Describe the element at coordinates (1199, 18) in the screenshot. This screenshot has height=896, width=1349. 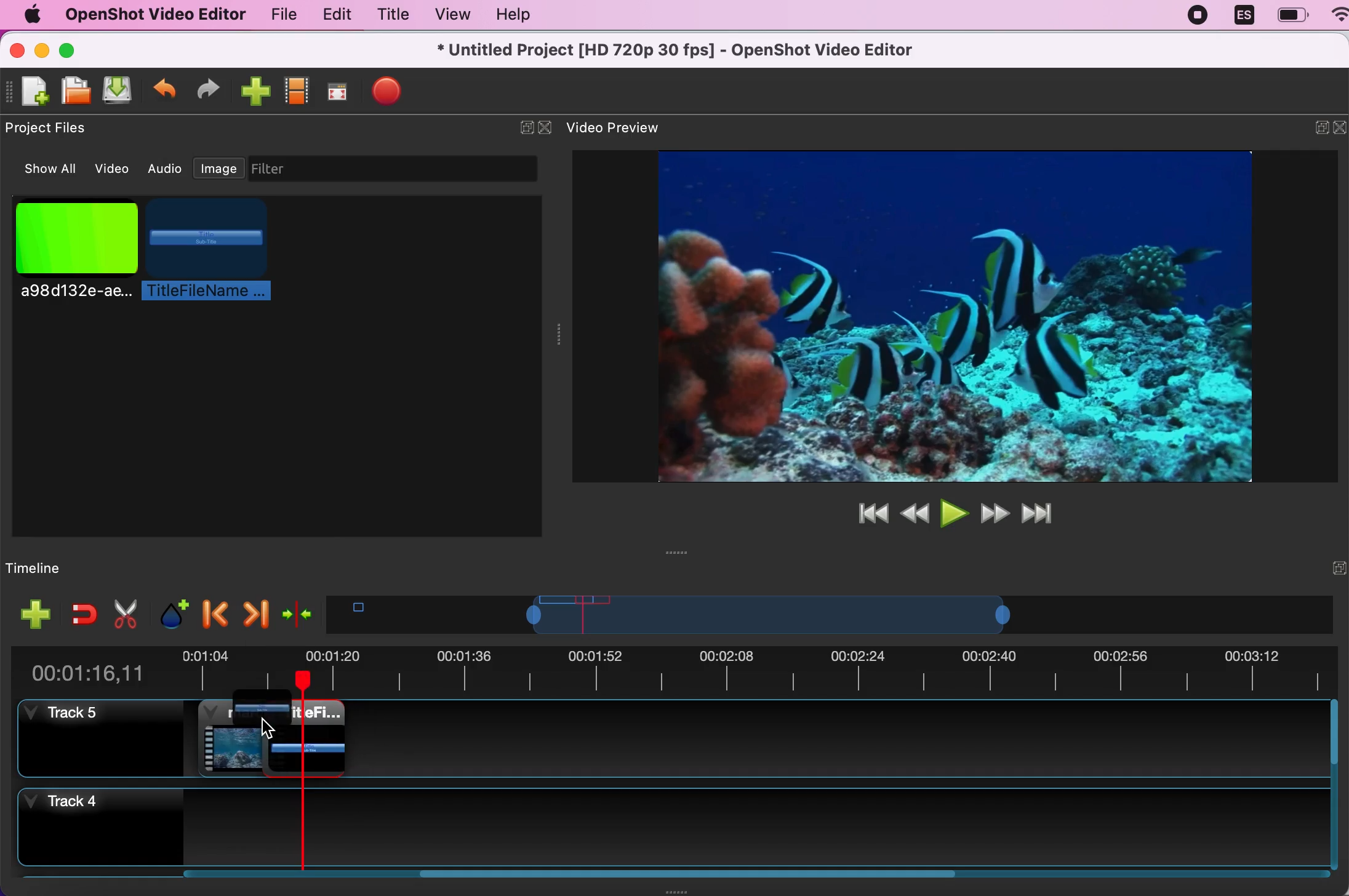
I see `recording stopped` at that location.